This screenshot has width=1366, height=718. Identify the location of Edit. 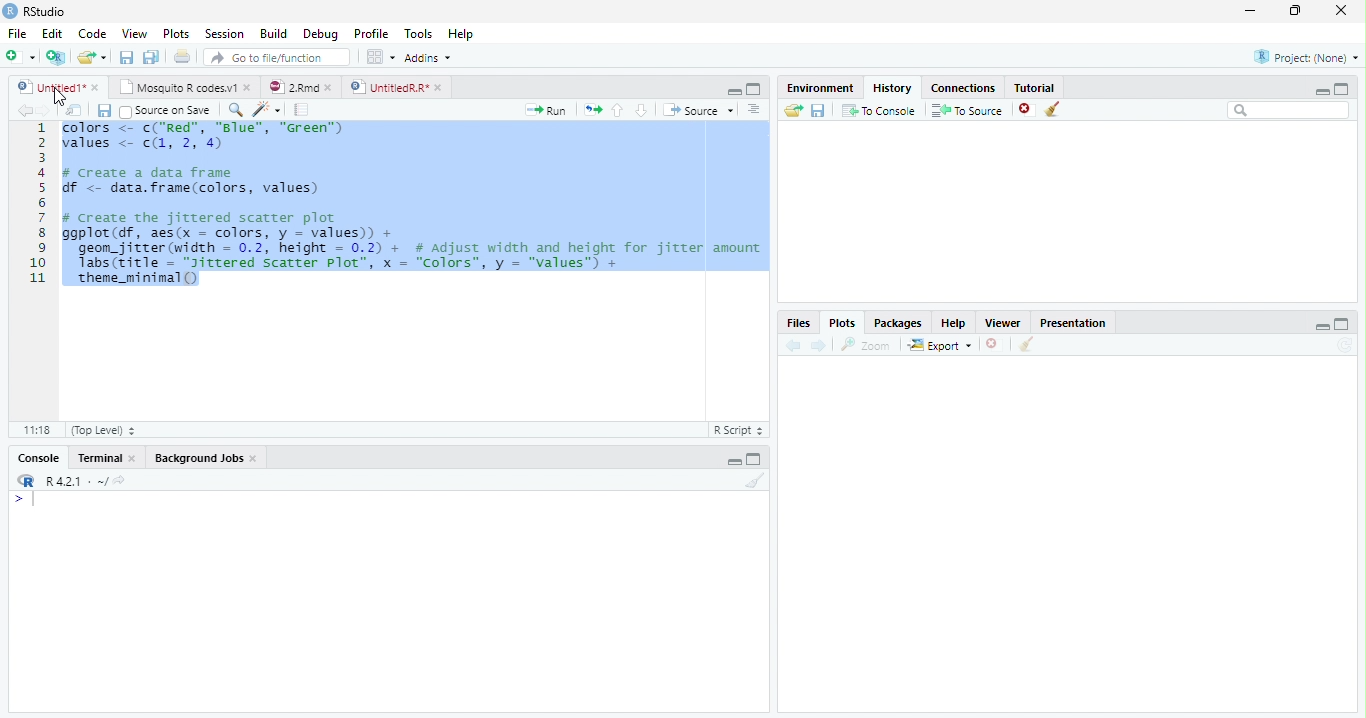
(52, 34).